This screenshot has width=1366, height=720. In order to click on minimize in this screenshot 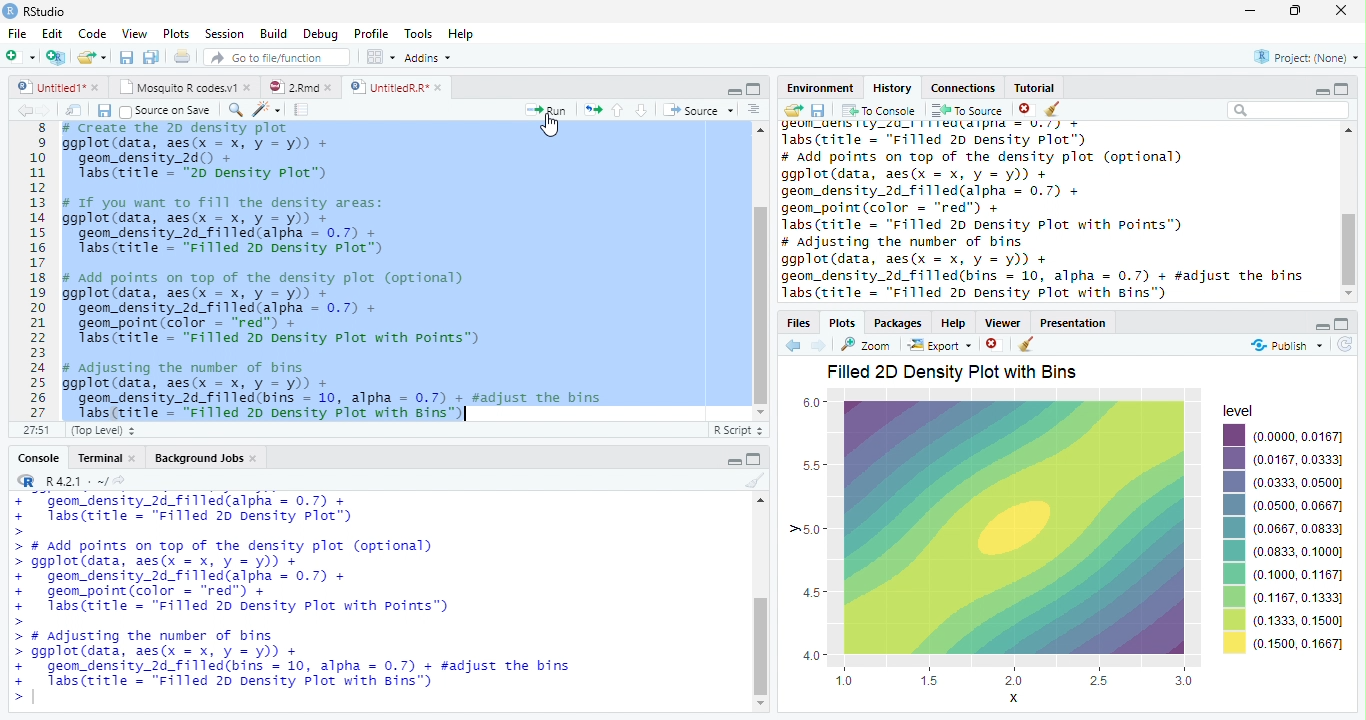, I will do `click(1249, 12)`.